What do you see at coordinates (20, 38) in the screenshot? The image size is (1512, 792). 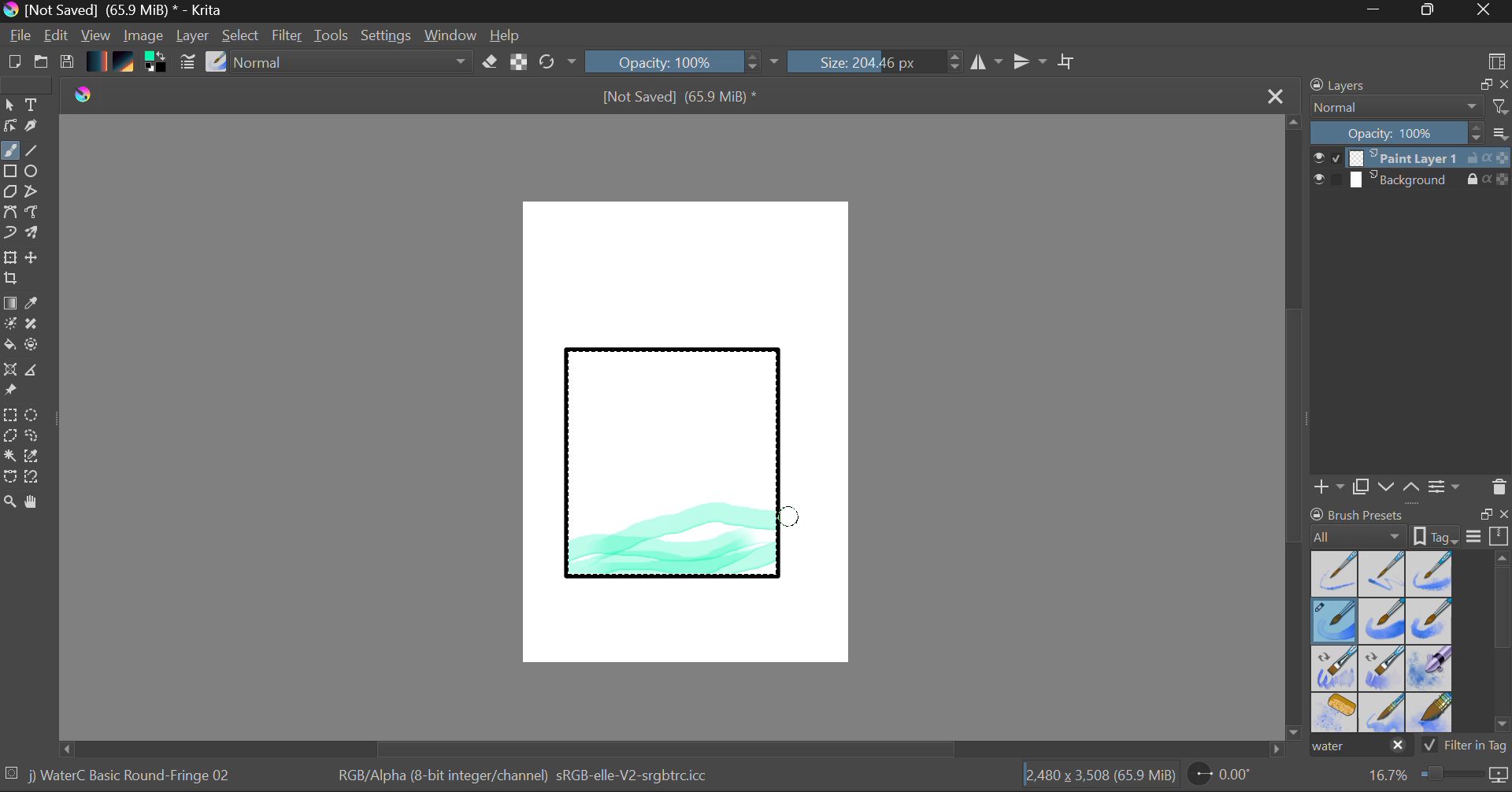 I see `File` at bounding box center [20, 38].